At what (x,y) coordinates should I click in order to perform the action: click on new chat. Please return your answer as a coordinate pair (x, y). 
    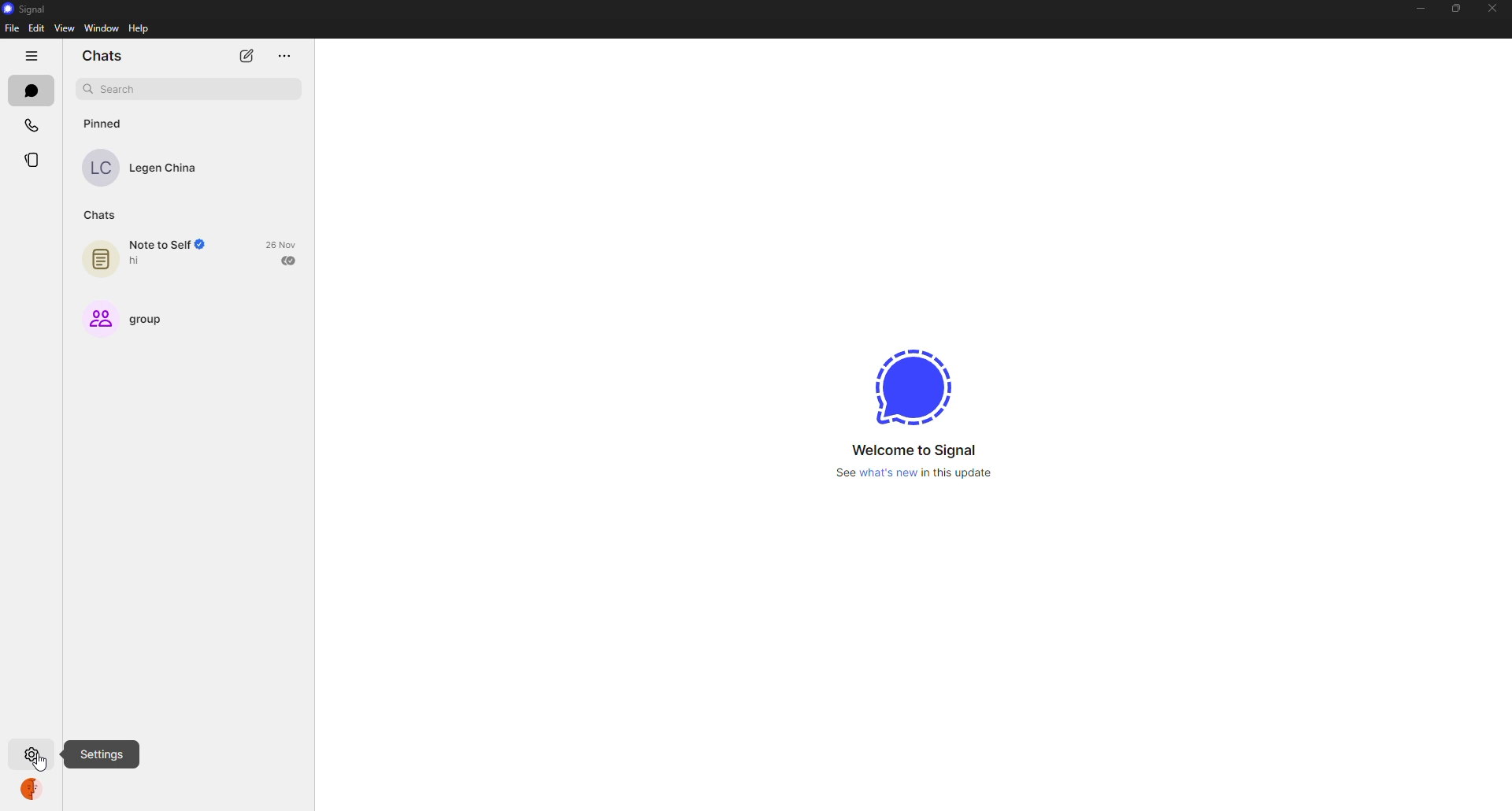
    Looking at the image, I should click on (246, 57).